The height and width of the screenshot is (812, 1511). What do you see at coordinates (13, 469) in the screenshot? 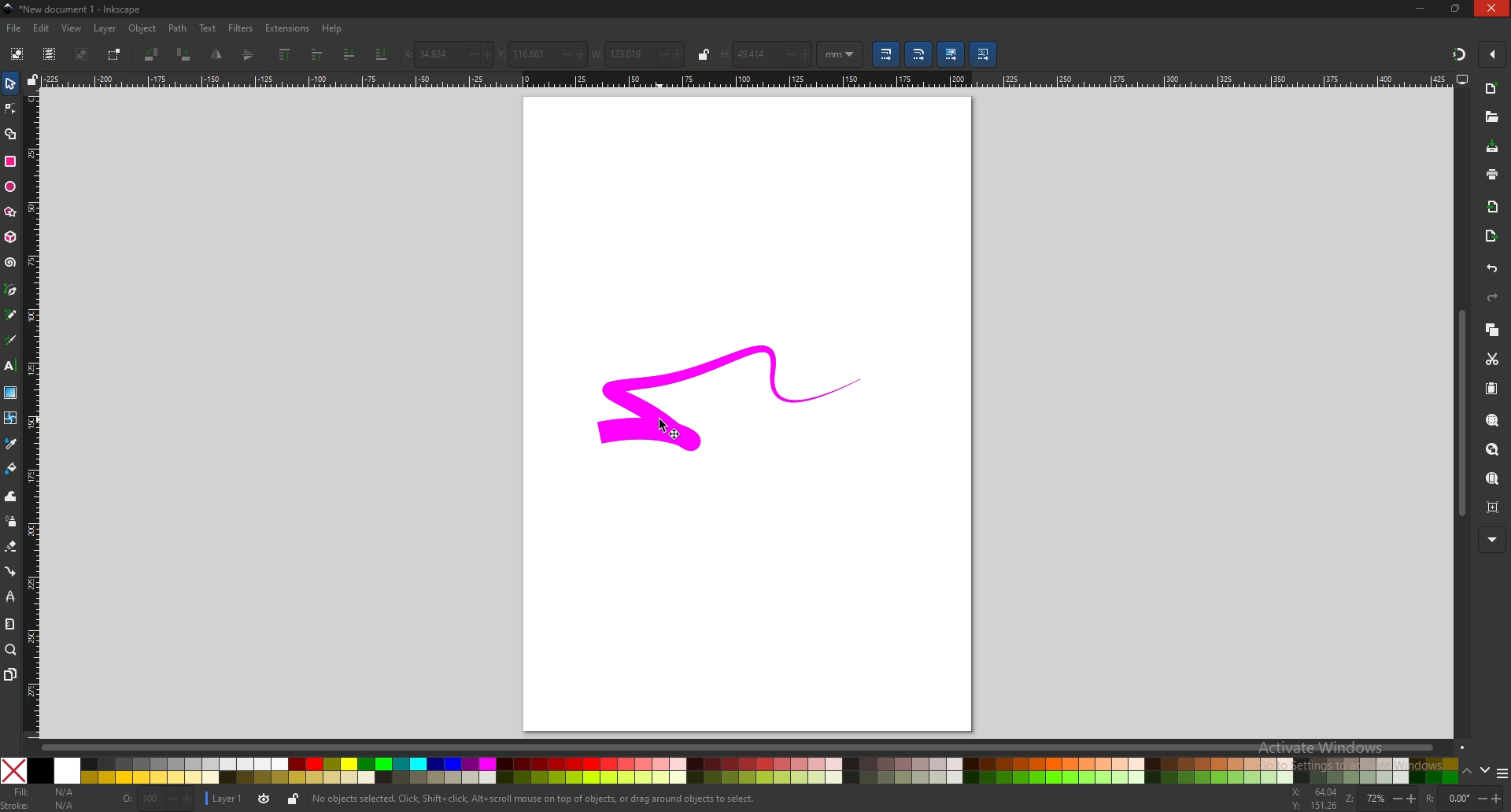
I see `fill bucket` at bounding box center [13, 469].